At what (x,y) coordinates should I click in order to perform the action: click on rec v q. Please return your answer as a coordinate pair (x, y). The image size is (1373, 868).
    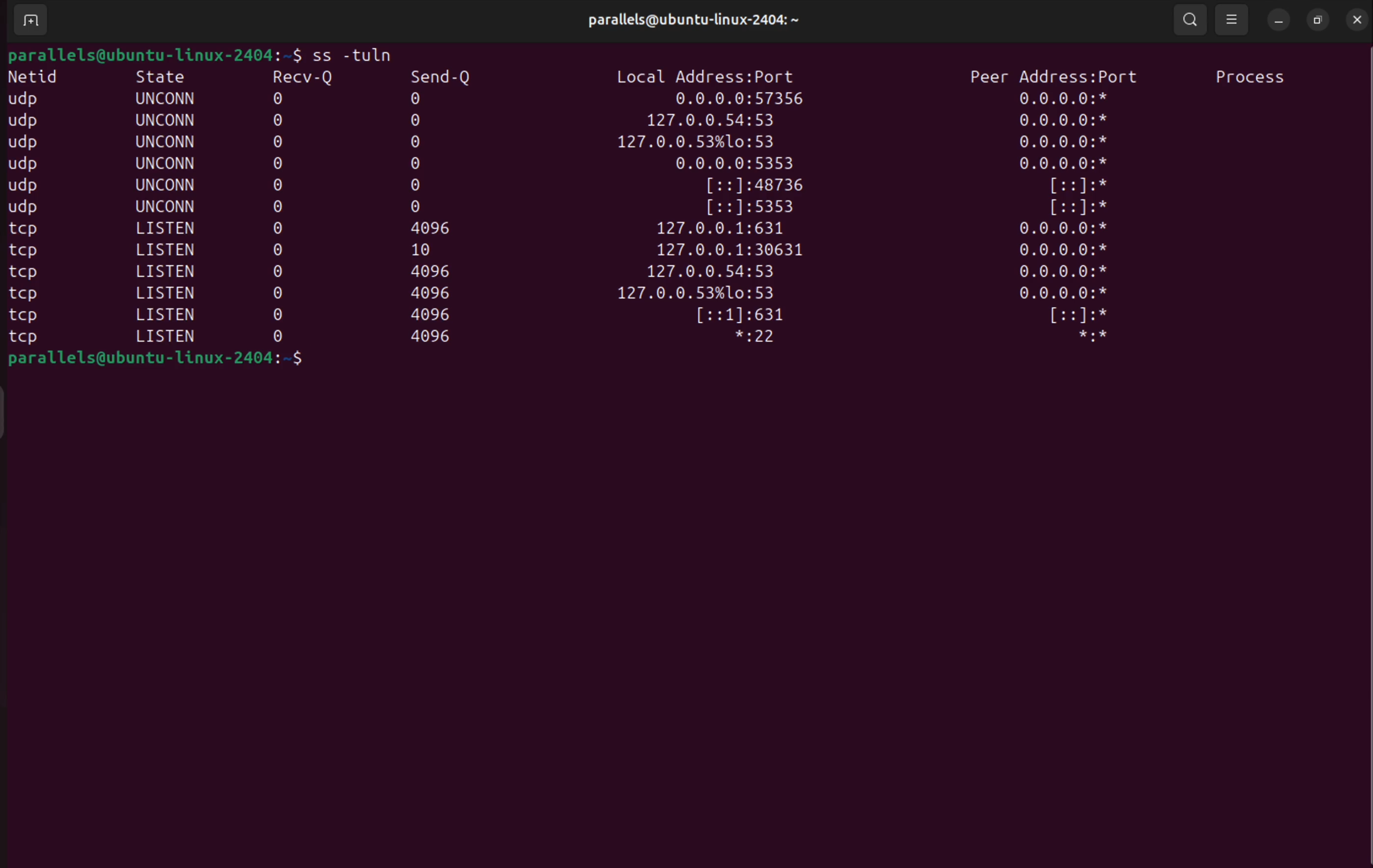
    Looking at the image, I should click on (304, 76).